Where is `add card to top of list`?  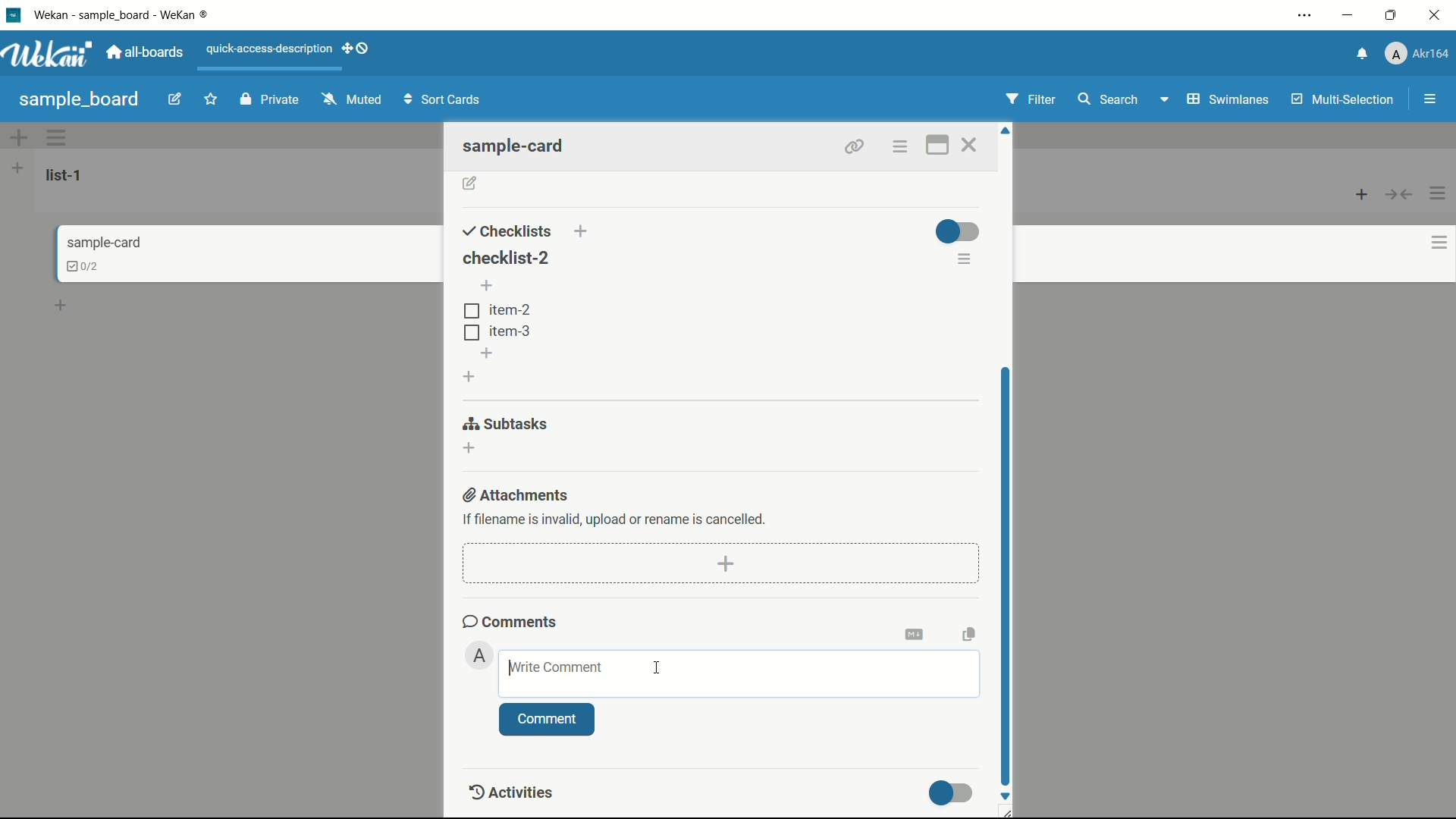 add card to top of list is located at coordinates (1363, 196).